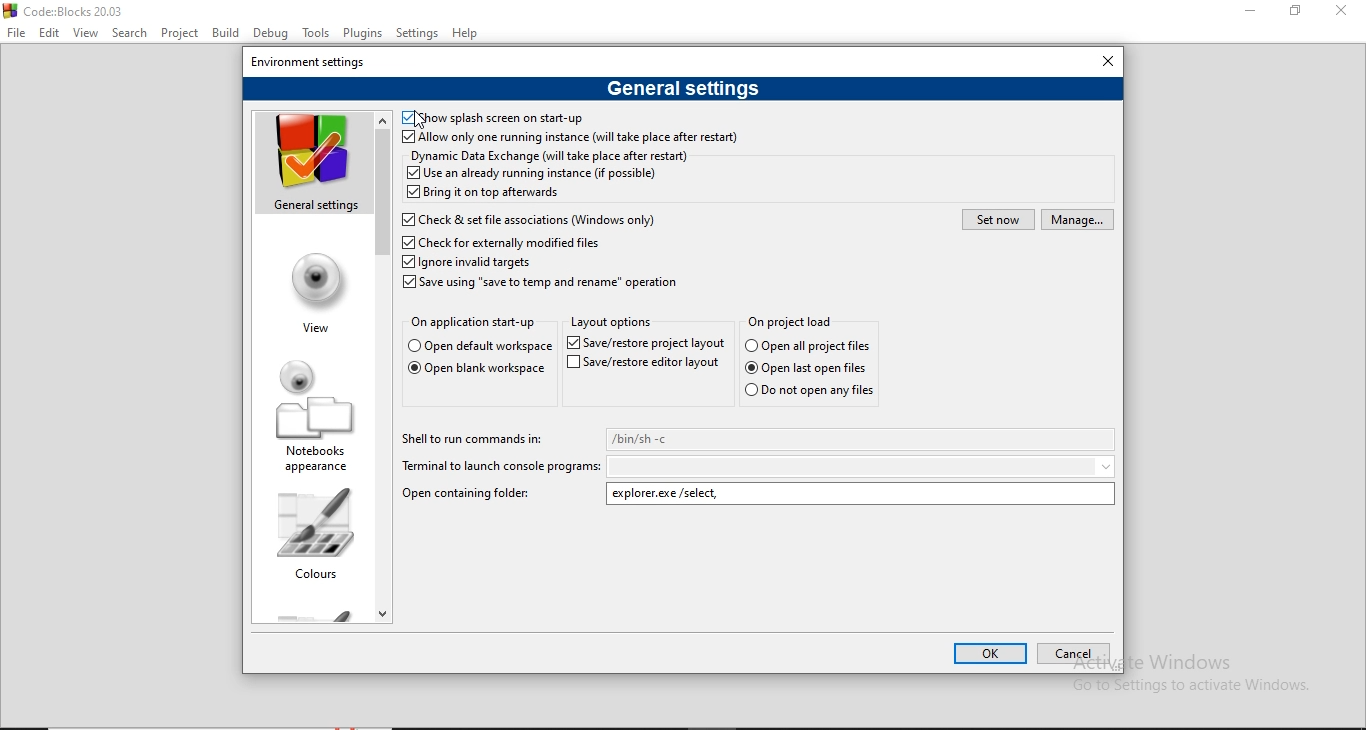 This screenshot has height=730, width=1366. Describe the element at coordinates (553, 157) in the screenshot. I see `Dynamic Data Exchange (will take place after restart` at that location.